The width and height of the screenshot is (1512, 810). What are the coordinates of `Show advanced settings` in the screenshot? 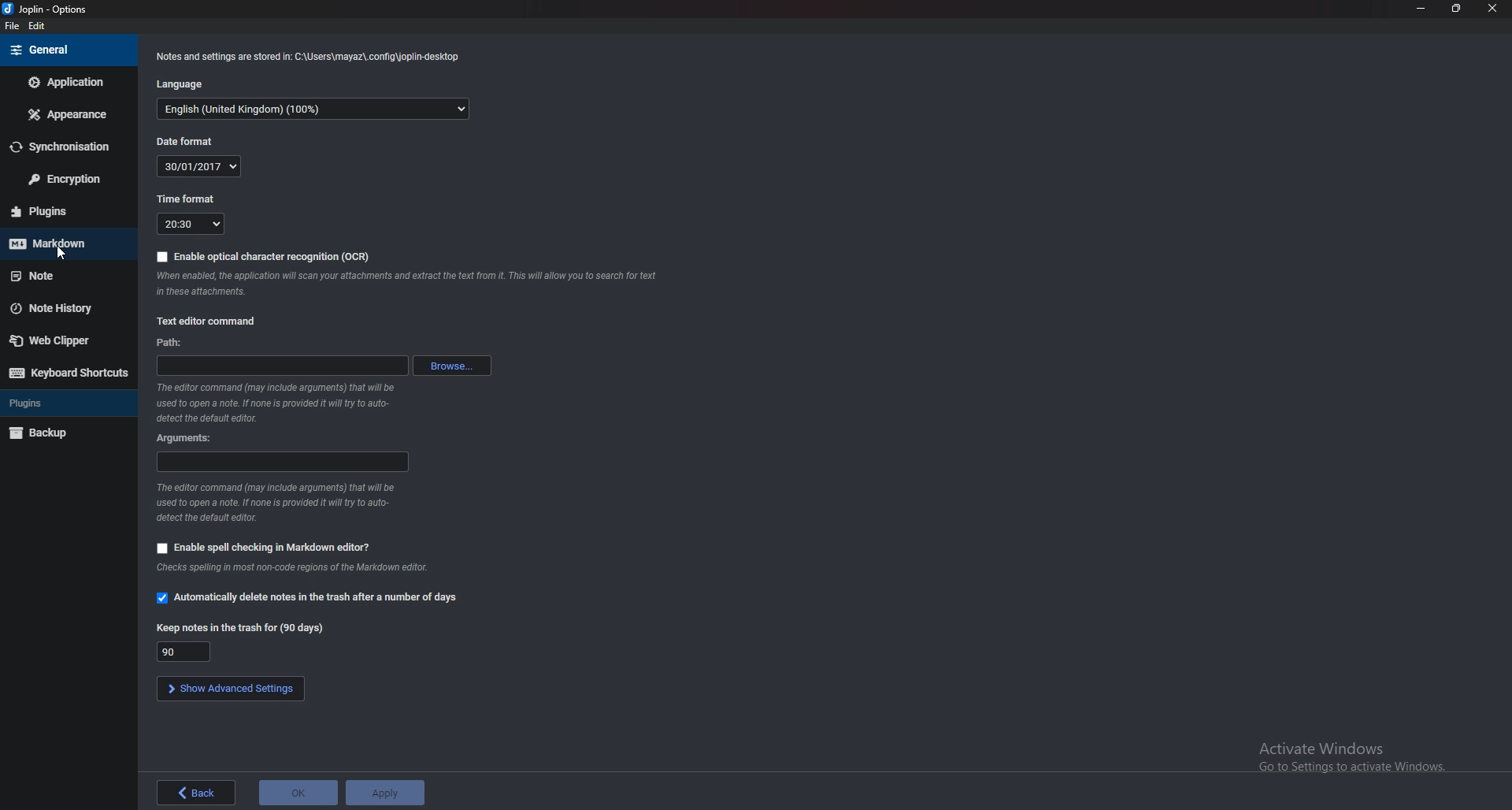 It's located at (228, 687).